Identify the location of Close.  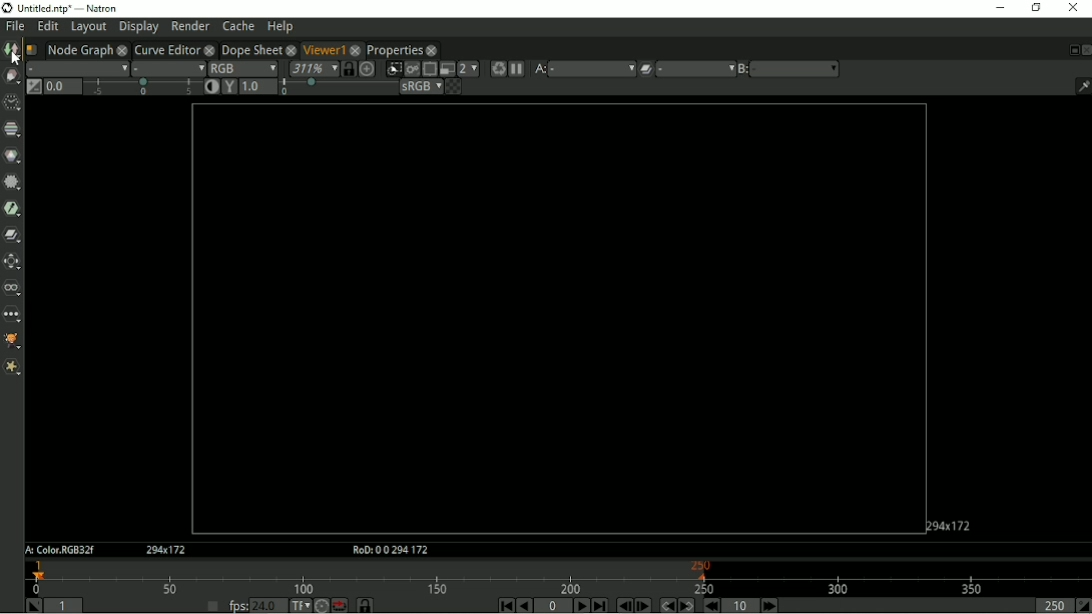
(1073, 9).